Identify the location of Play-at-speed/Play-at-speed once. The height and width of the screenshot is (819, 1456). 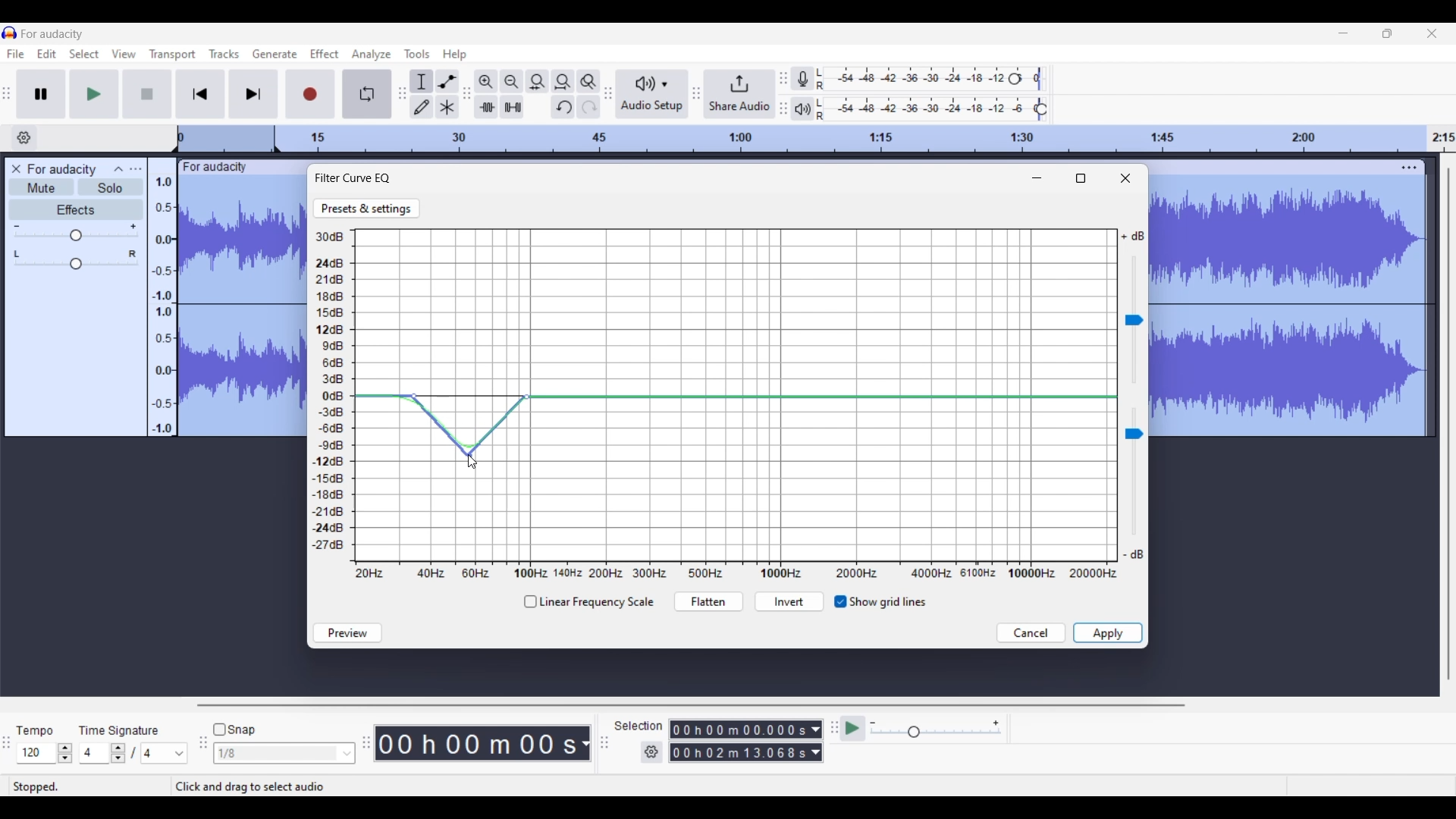
(854, 729).